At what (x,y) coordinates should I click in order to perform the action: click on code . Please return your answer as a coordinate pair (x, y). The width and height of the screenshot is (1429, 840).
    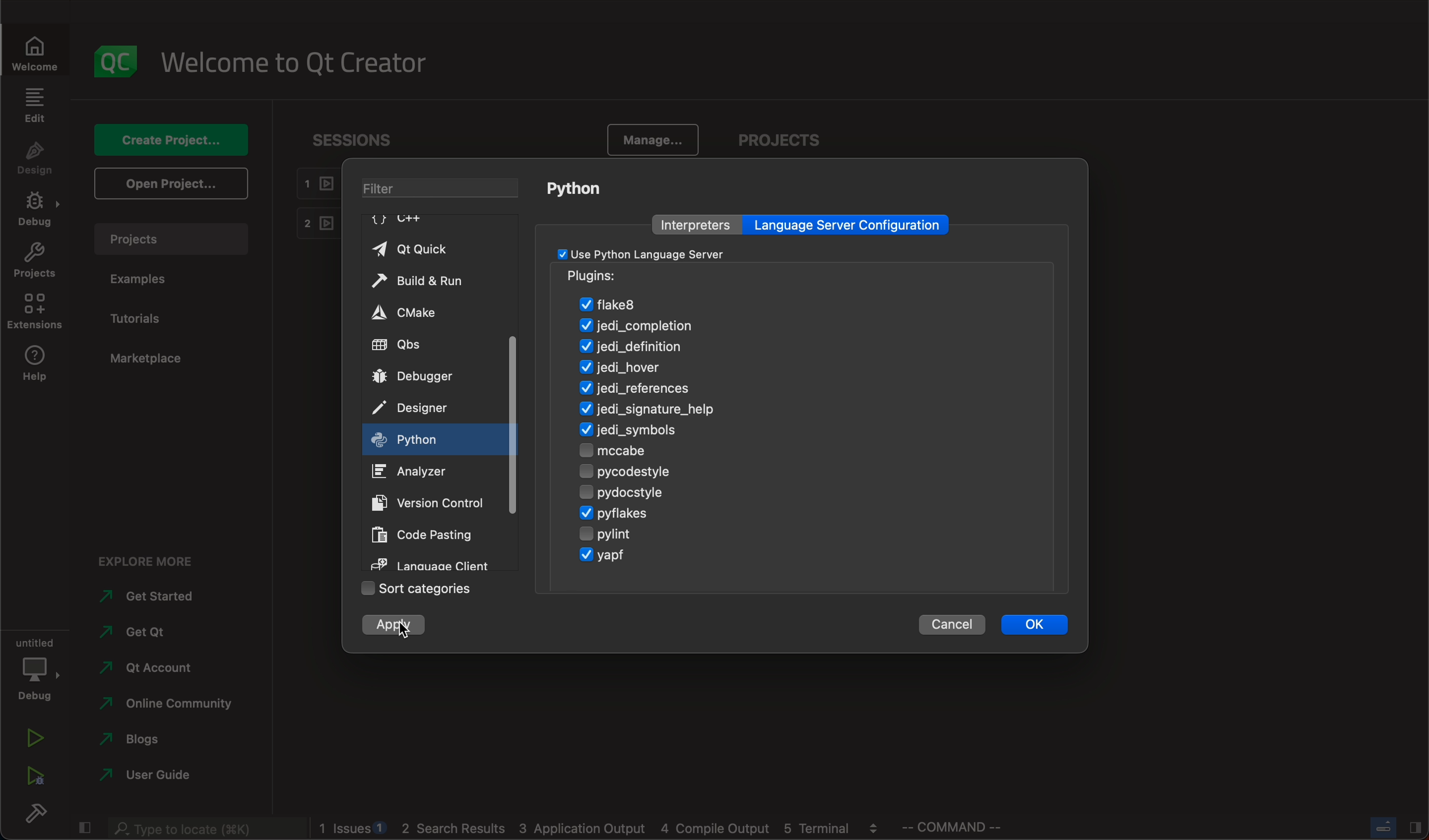
    Looking at the image, I should click on (428, 532).